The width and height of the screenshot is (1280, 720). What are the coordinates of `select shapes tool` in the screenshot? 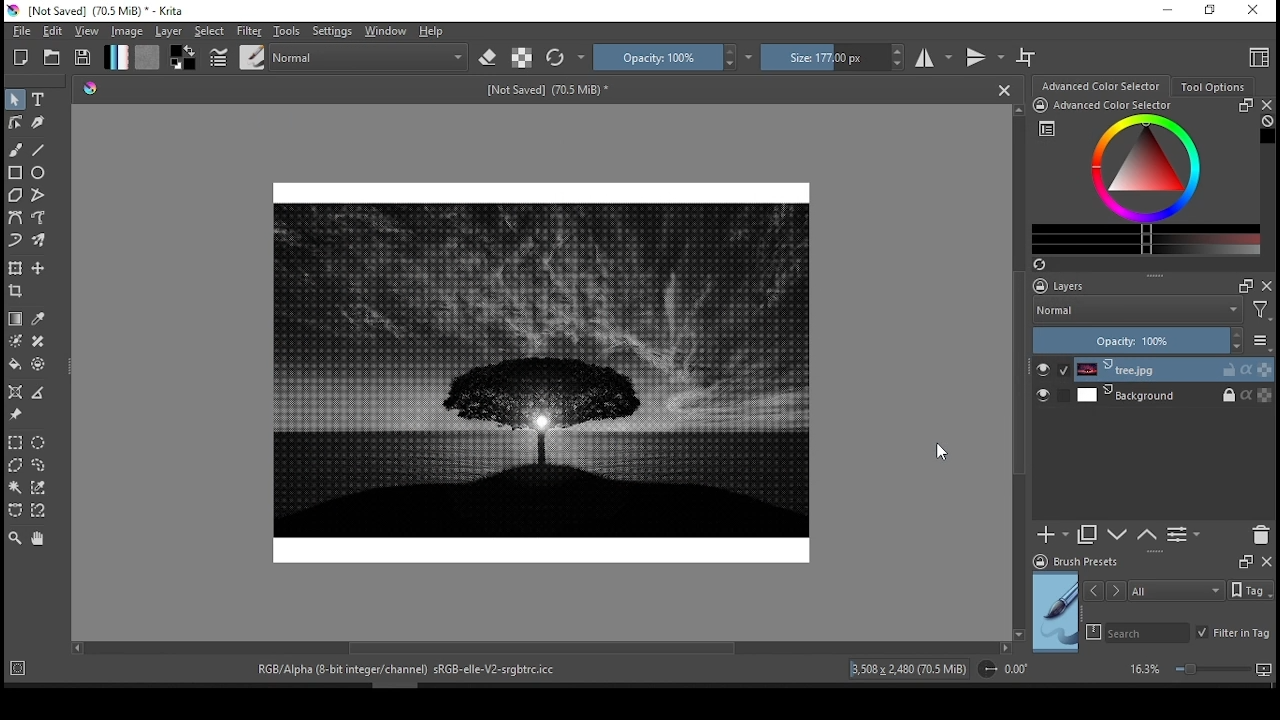 It's located at (15, 100).